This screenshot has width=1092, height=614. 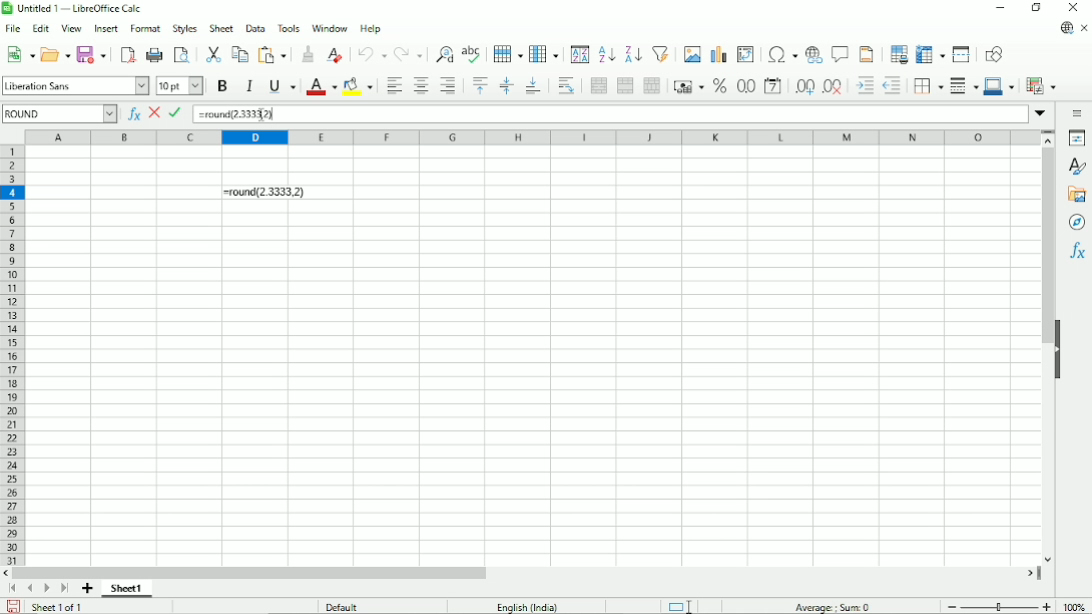 What do you see at coordinates (372, 53) in the screenshot?
I see `Undo` at bounding box center [372, 53].